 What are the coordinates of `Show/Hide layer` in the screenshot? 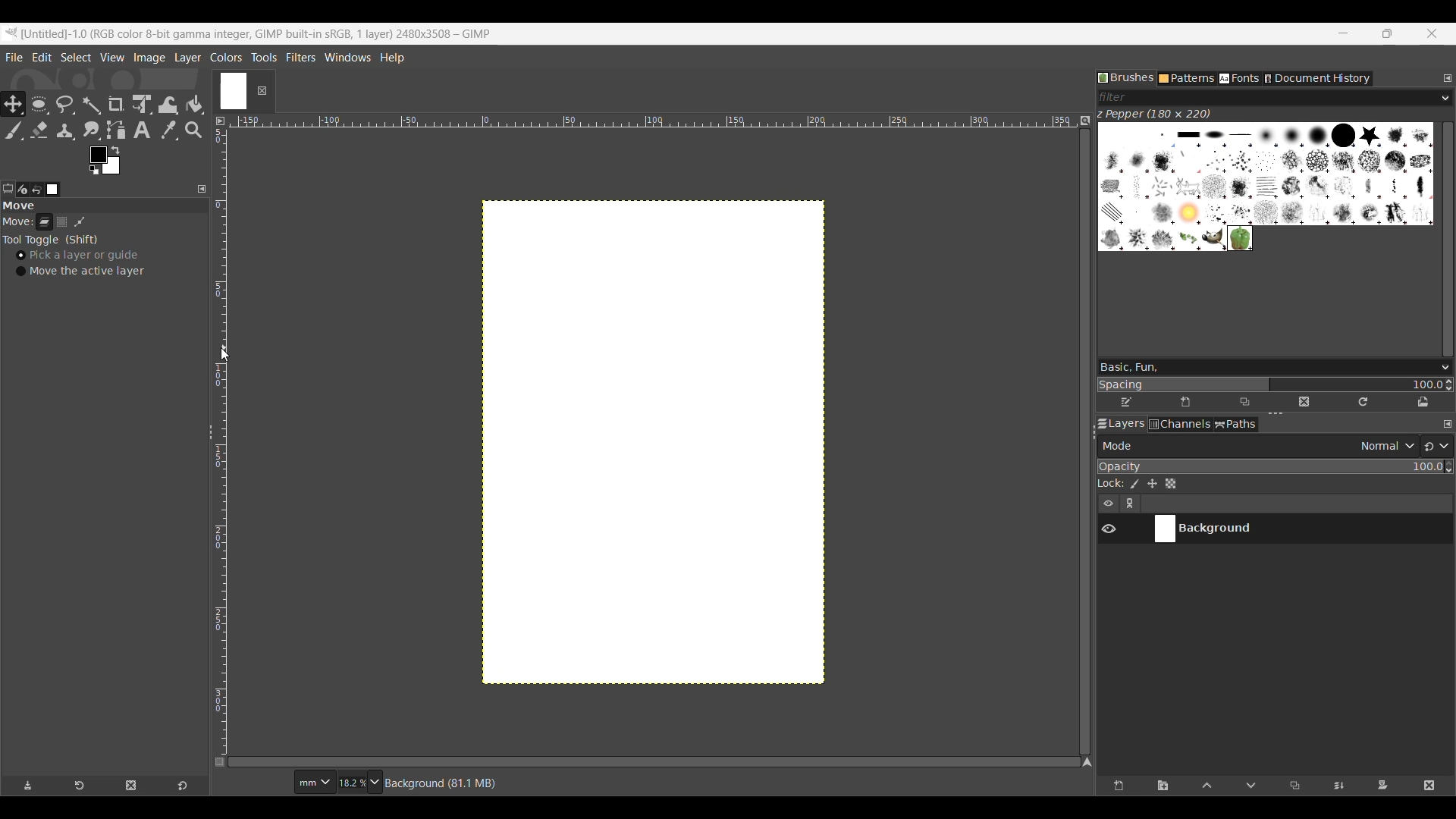 It's located at (1109, 529).